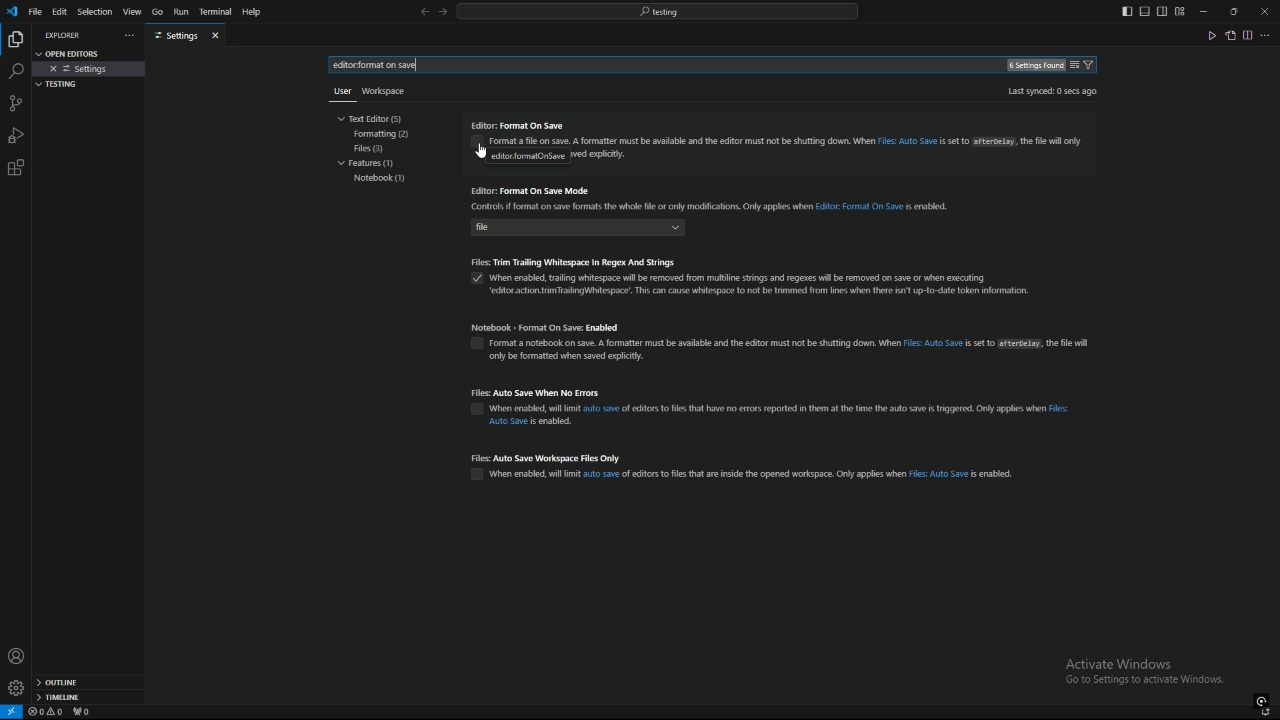 The image size is (1280, 720). I want to click on close, so click(1264, 10).